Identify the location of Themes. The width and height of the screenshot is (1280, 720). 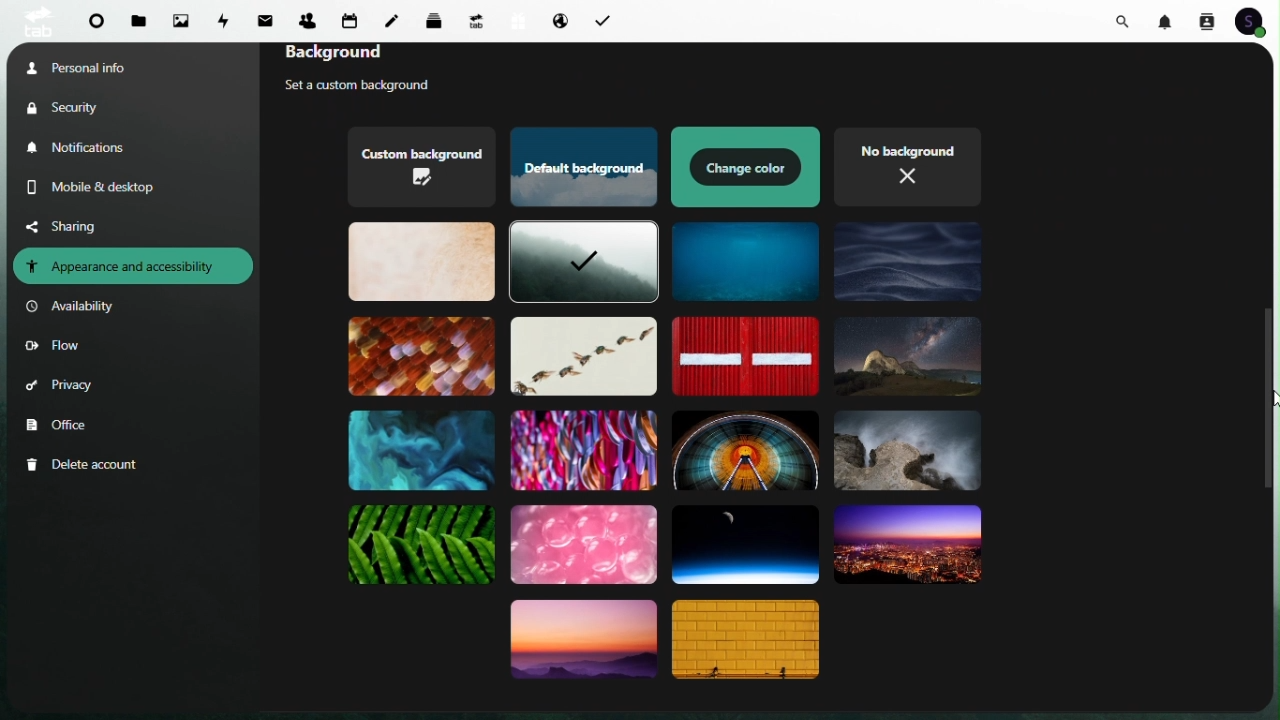
(420, 357).